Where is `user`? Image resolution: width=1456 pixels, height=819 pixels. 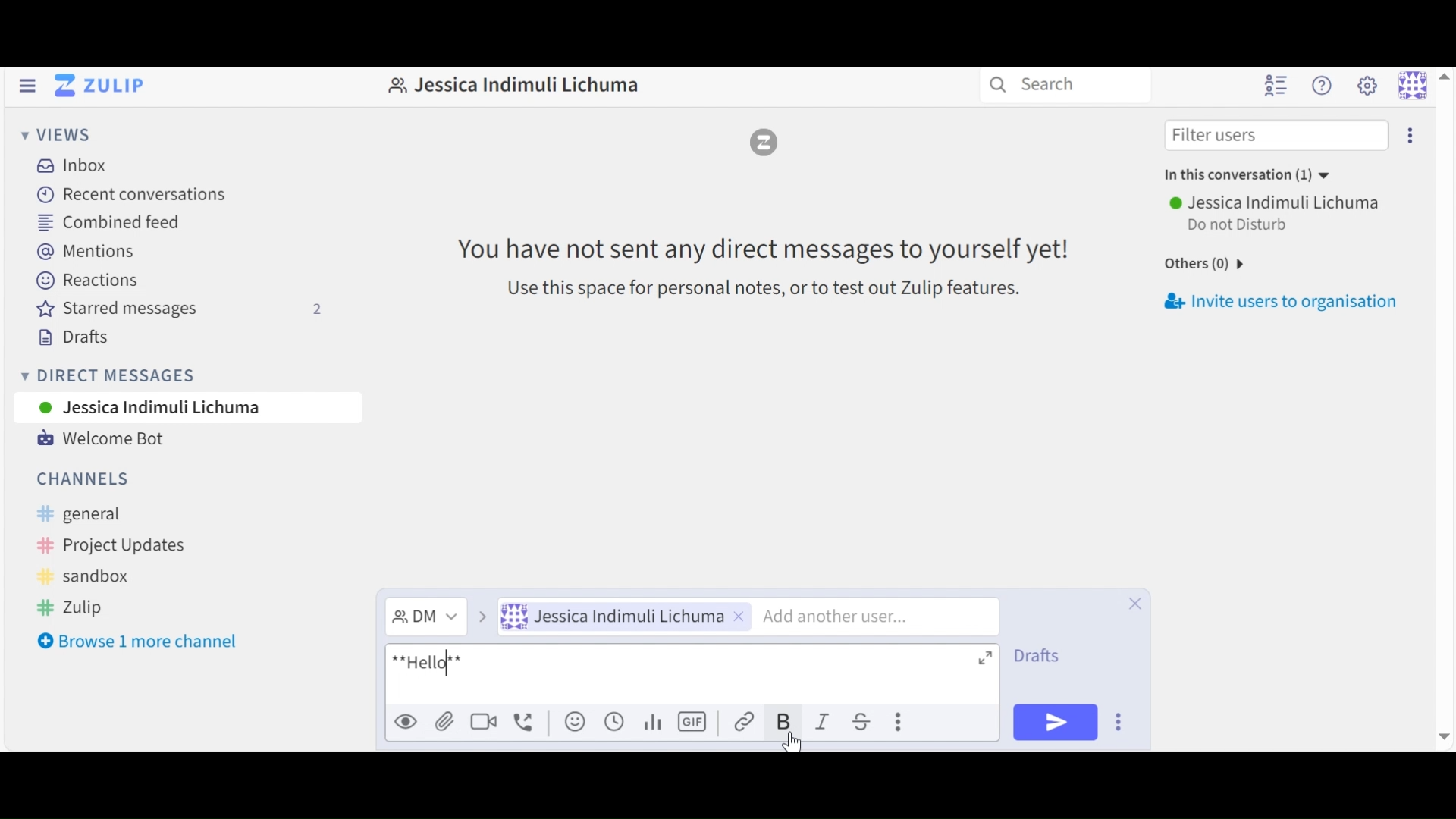 user is located at coordinates (1278, 202).